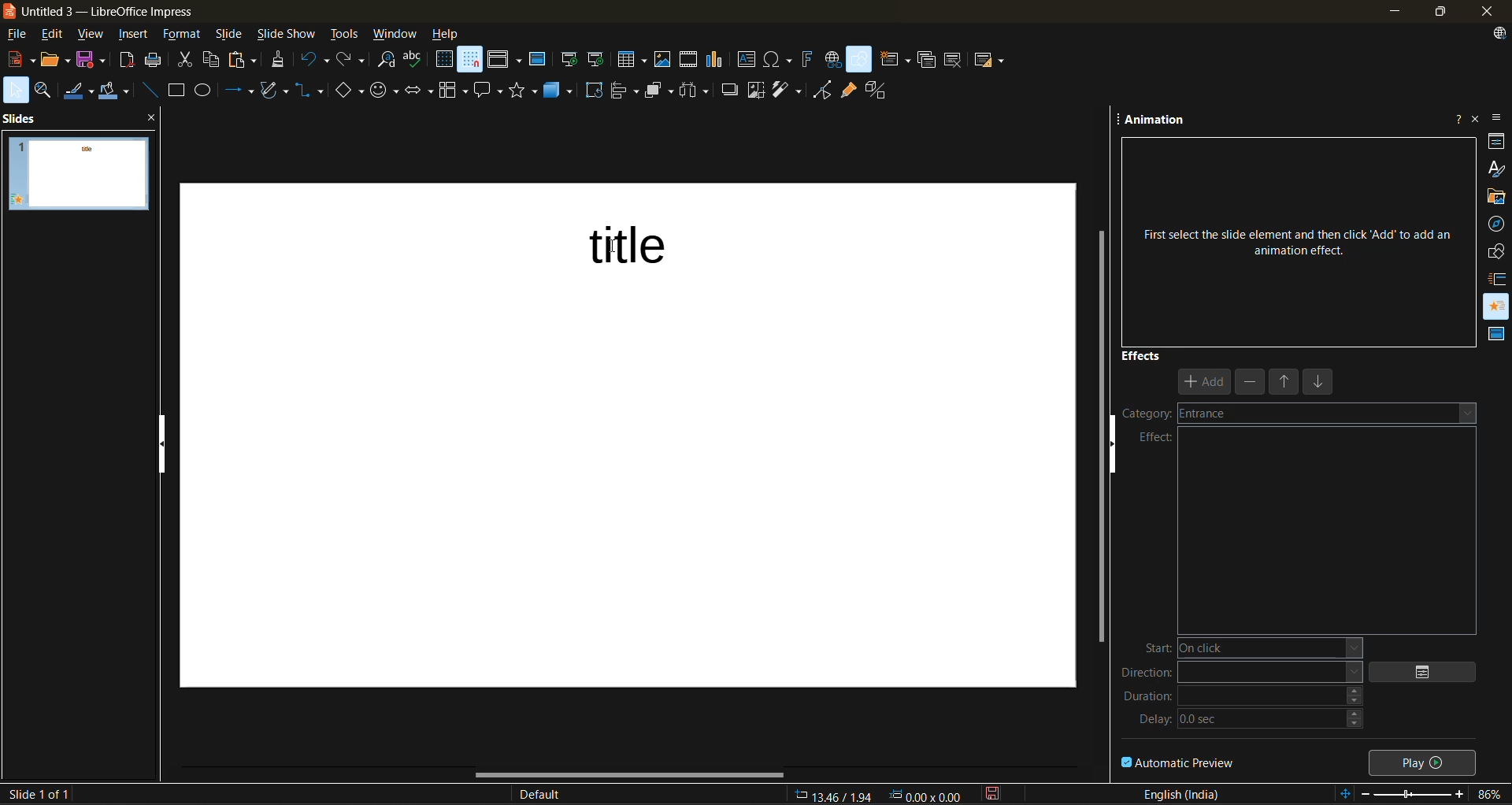 This screenshot has height=805, width=1512. Describe the element at coordinates (151, 113) in the screenshot. I see `close pane` at that location.